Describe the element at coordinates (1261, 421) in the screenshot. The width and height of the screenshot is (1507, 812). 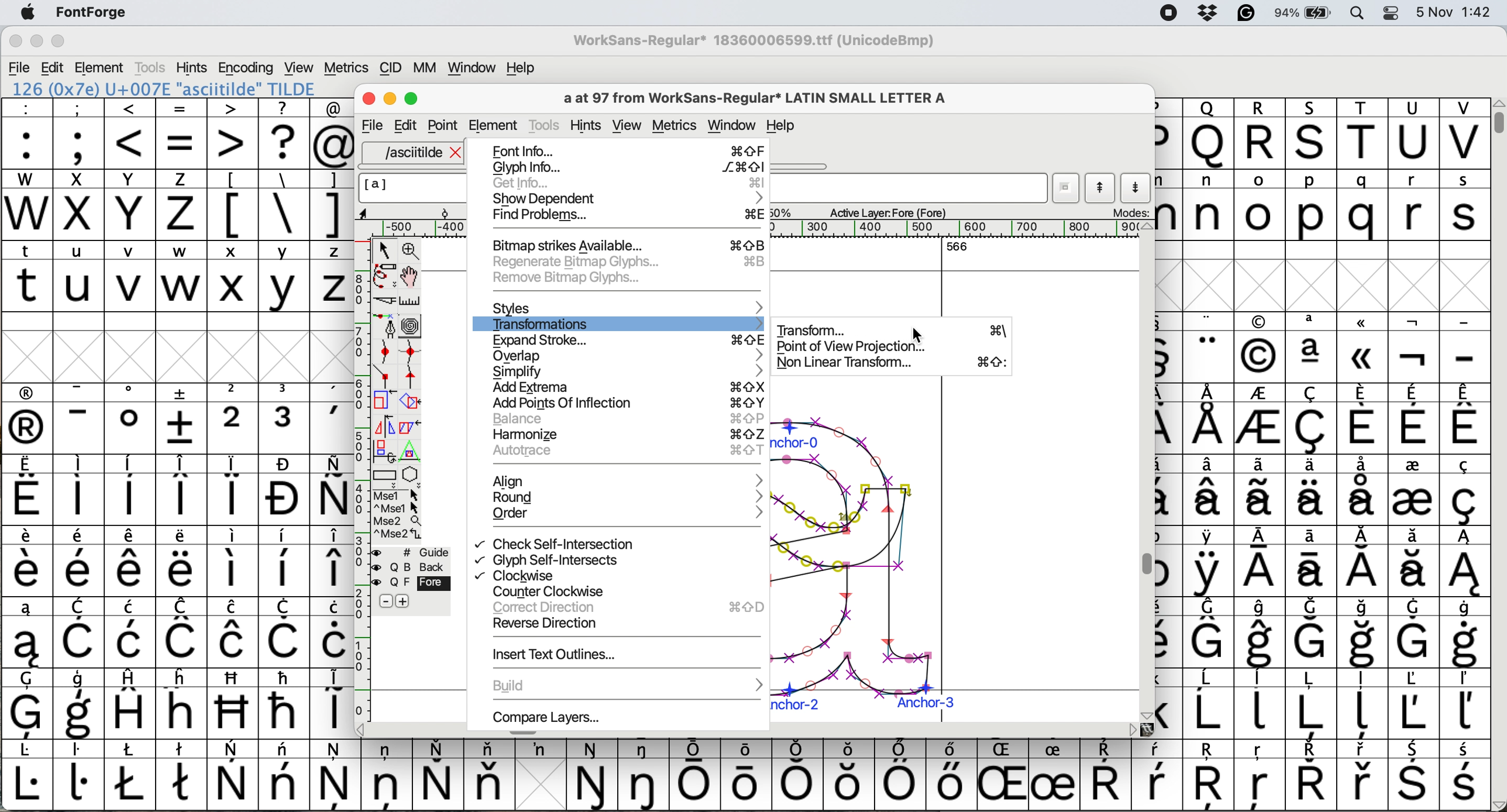
I see `symbol` at that location.